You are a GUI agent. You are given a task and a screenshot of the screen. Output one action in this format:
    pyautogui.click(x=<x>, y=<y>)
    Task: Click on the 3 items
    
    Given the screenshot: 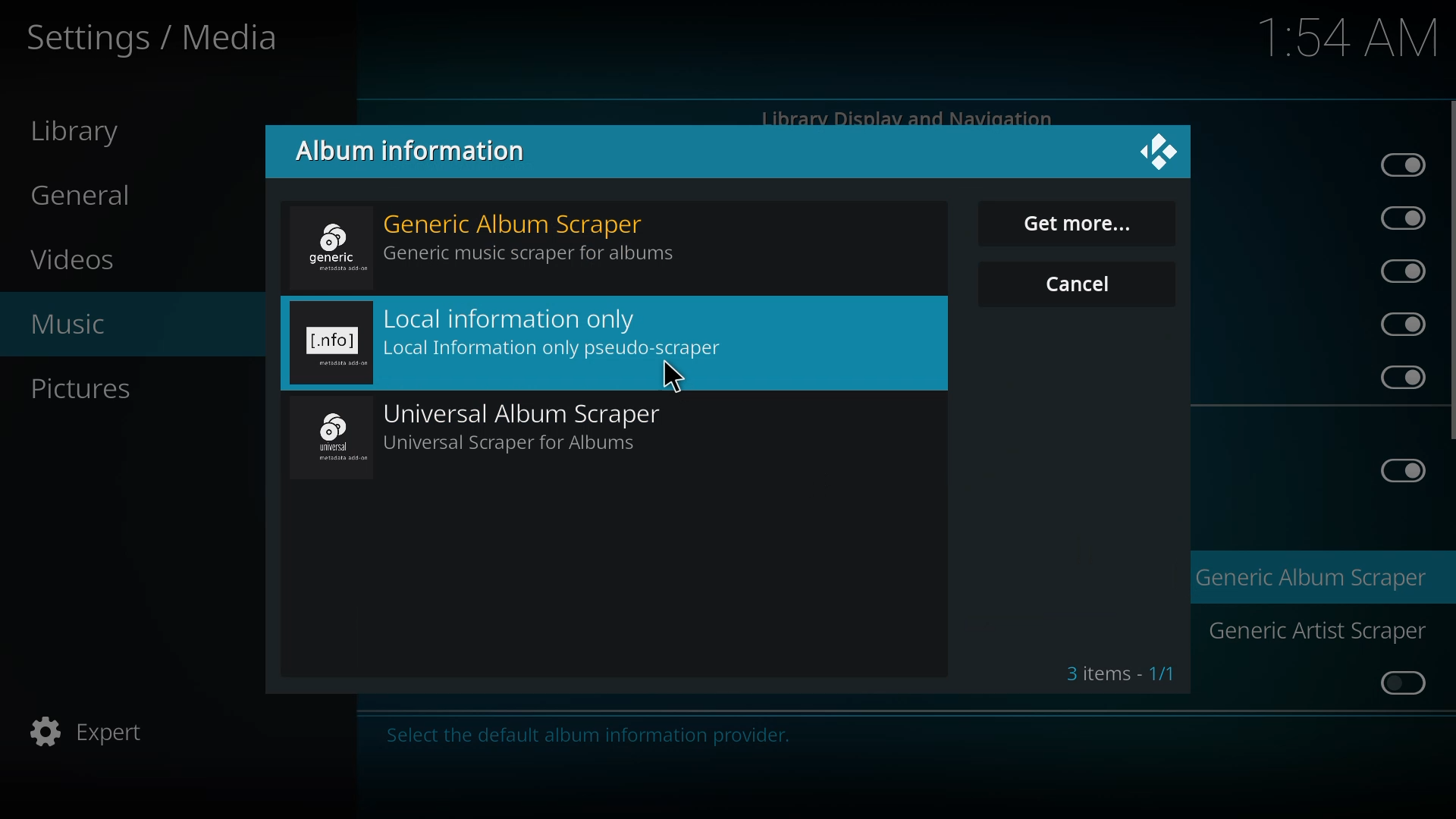 What is the action you would take?
    pyautogui.click(x=1121, y=672)
    